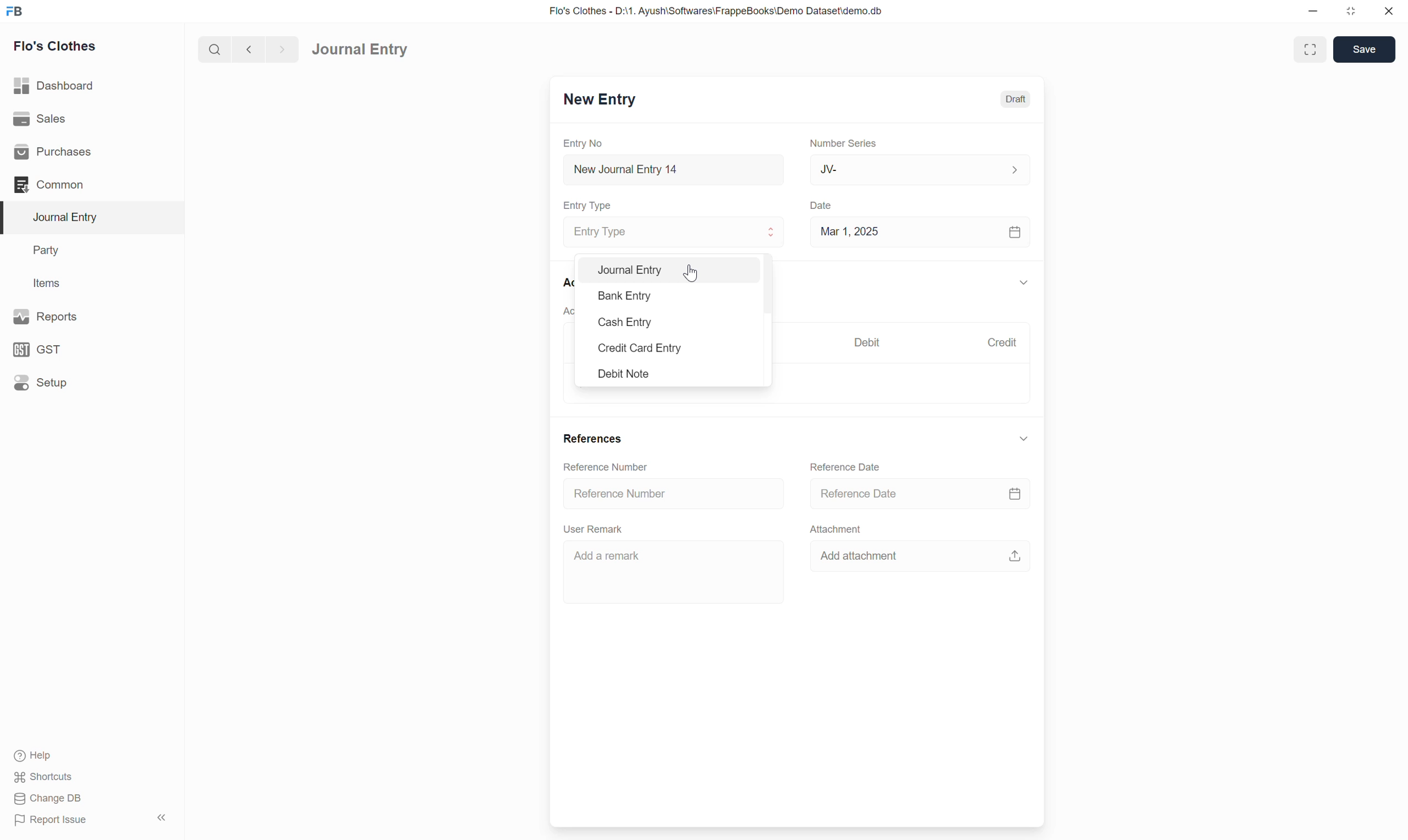 This screenshot has width=1408, height=840. What do you see at coordinates (213, 49) in the screenshot?
I see `search` at bounding box center [213, 49].